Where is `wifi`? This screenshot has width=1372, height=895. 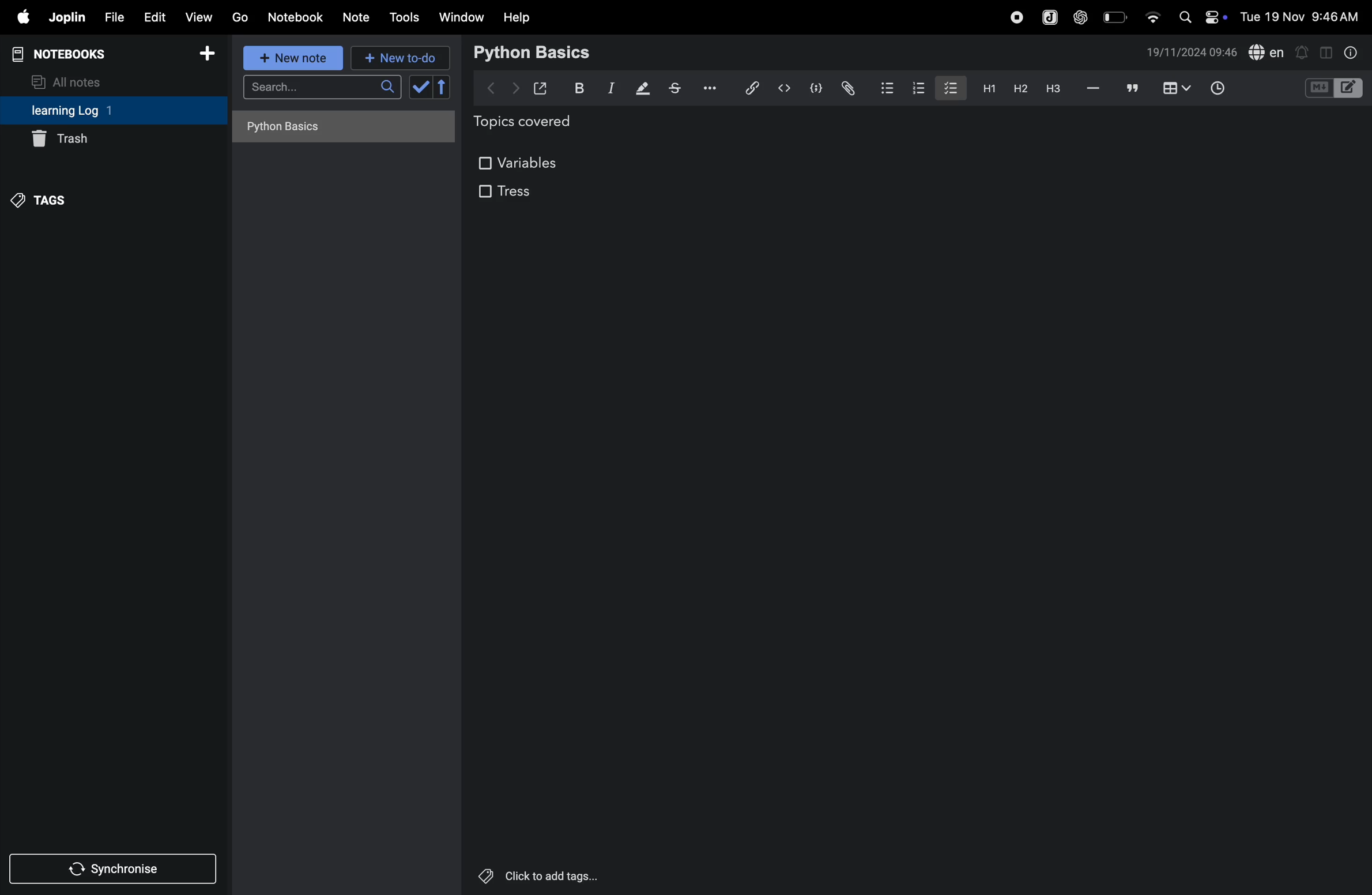
wifi is located at coordinates (1152, 13).